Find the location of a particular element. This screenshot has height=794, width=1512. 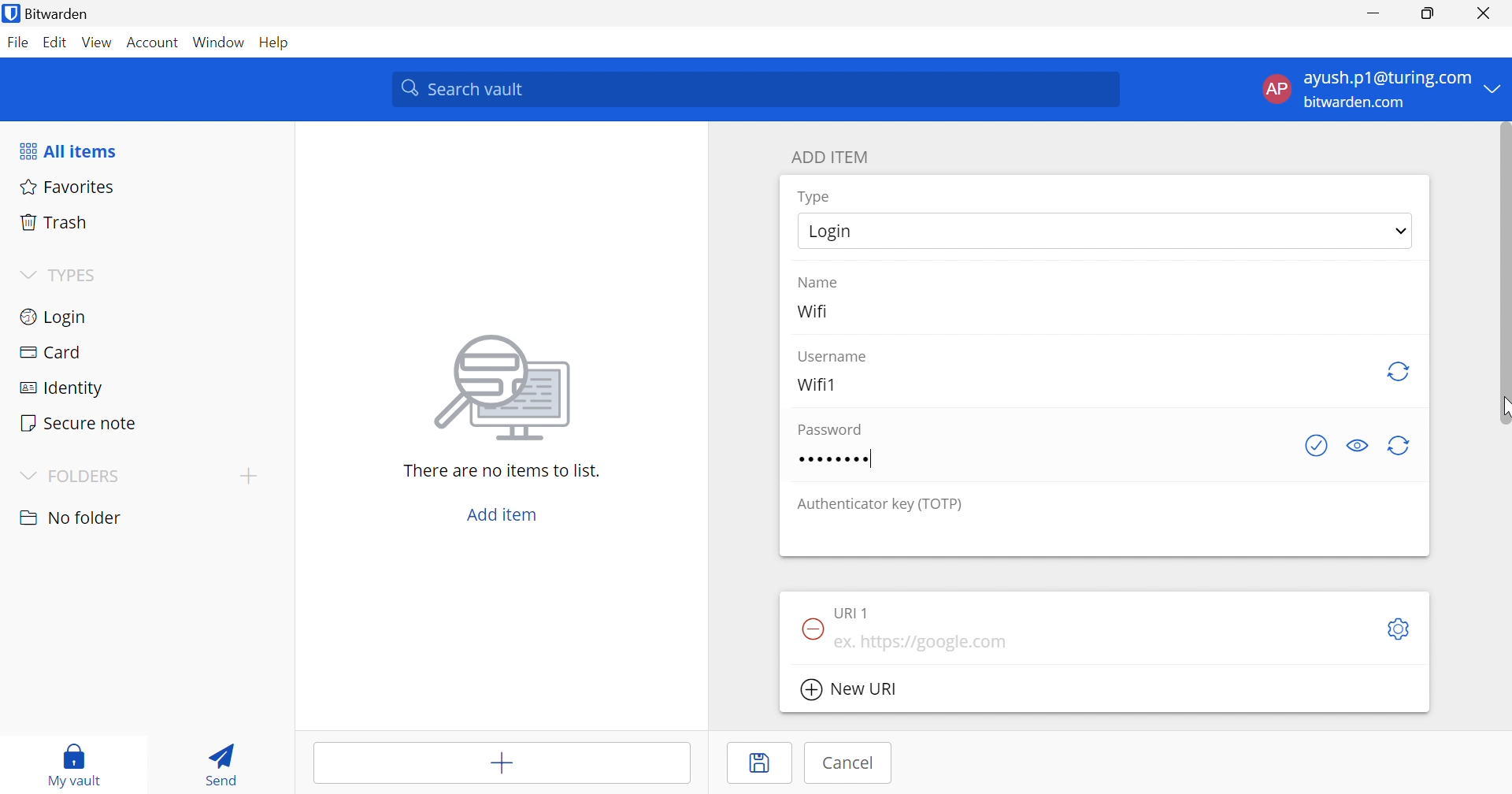

Edit is located at coordinates (54, 43).